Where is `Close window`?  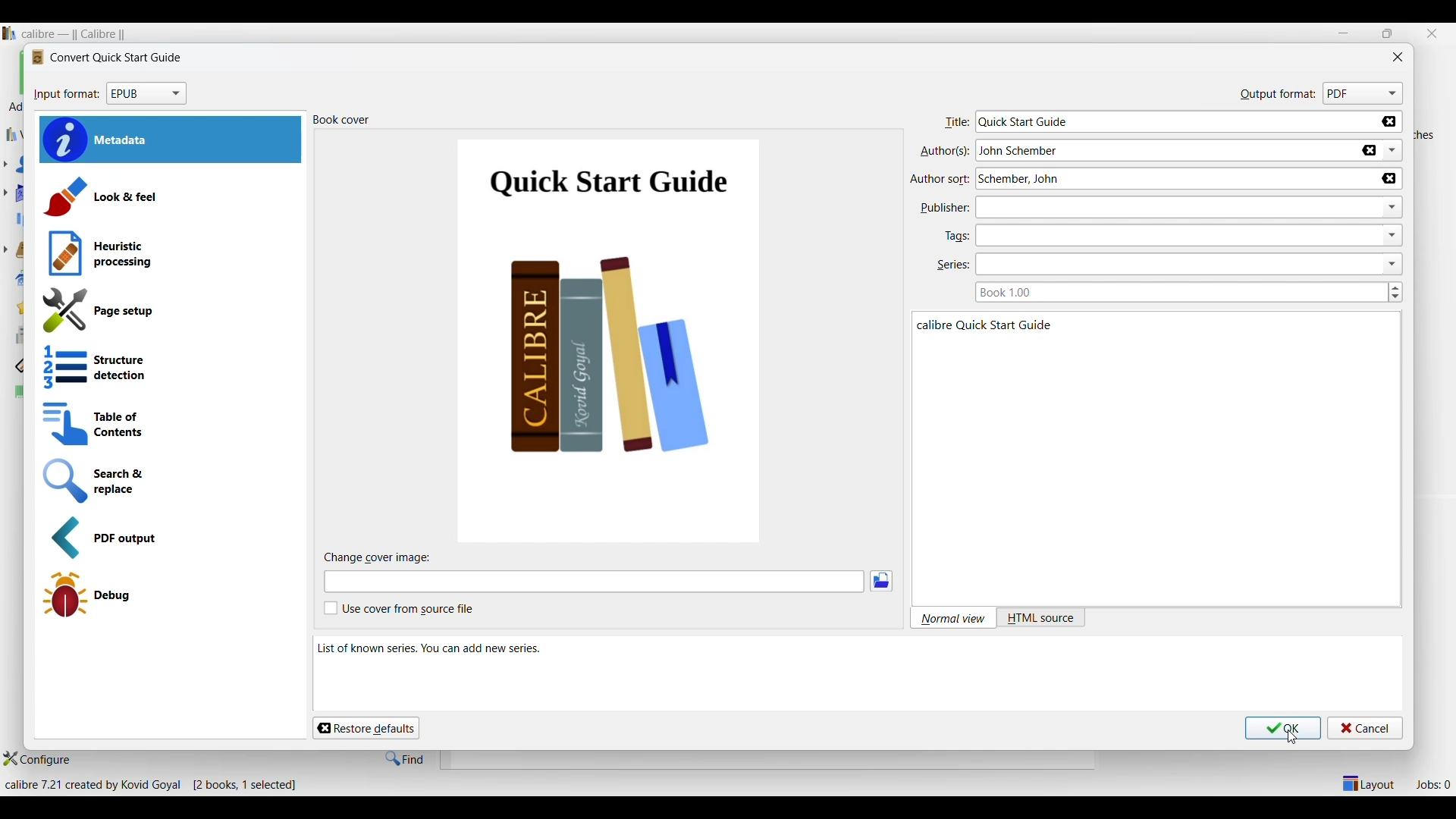 Close window is located at coordinates (1398, 57).